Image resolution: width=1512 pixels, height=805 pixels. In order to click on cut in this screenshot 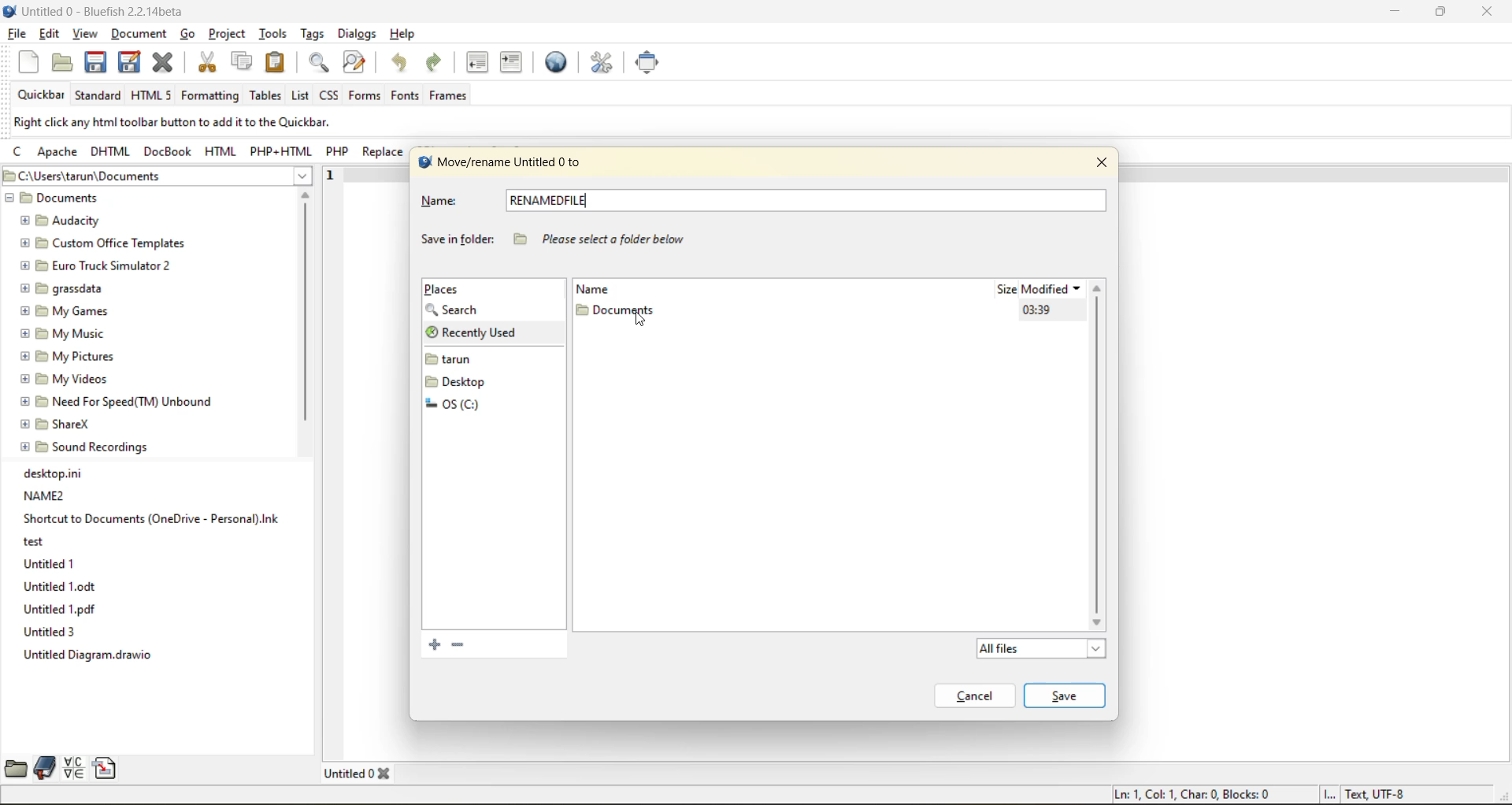, I will do `click(209, 62)`.